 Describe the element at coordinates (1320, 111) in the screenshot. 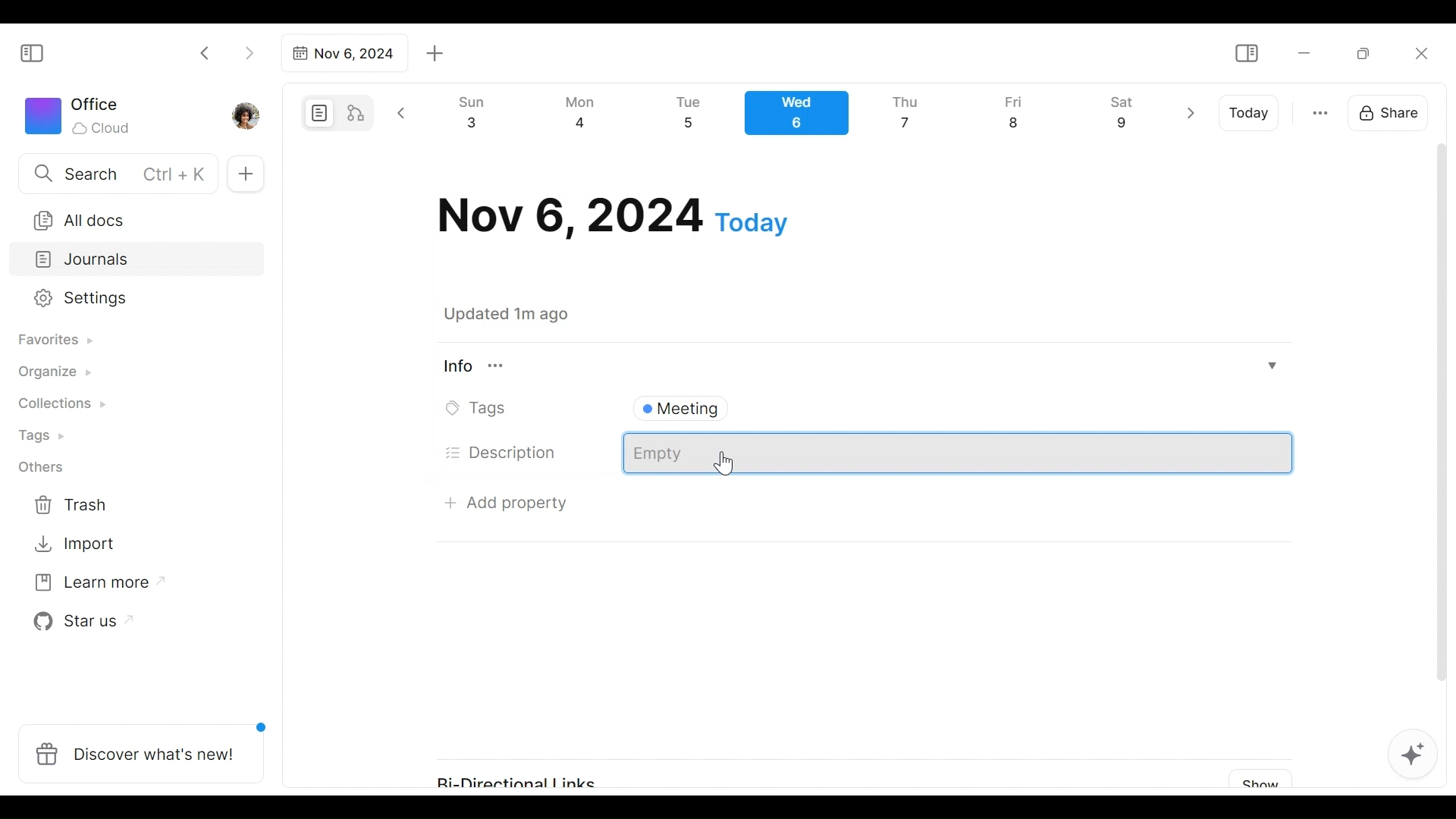

I see `more otions` at that location.